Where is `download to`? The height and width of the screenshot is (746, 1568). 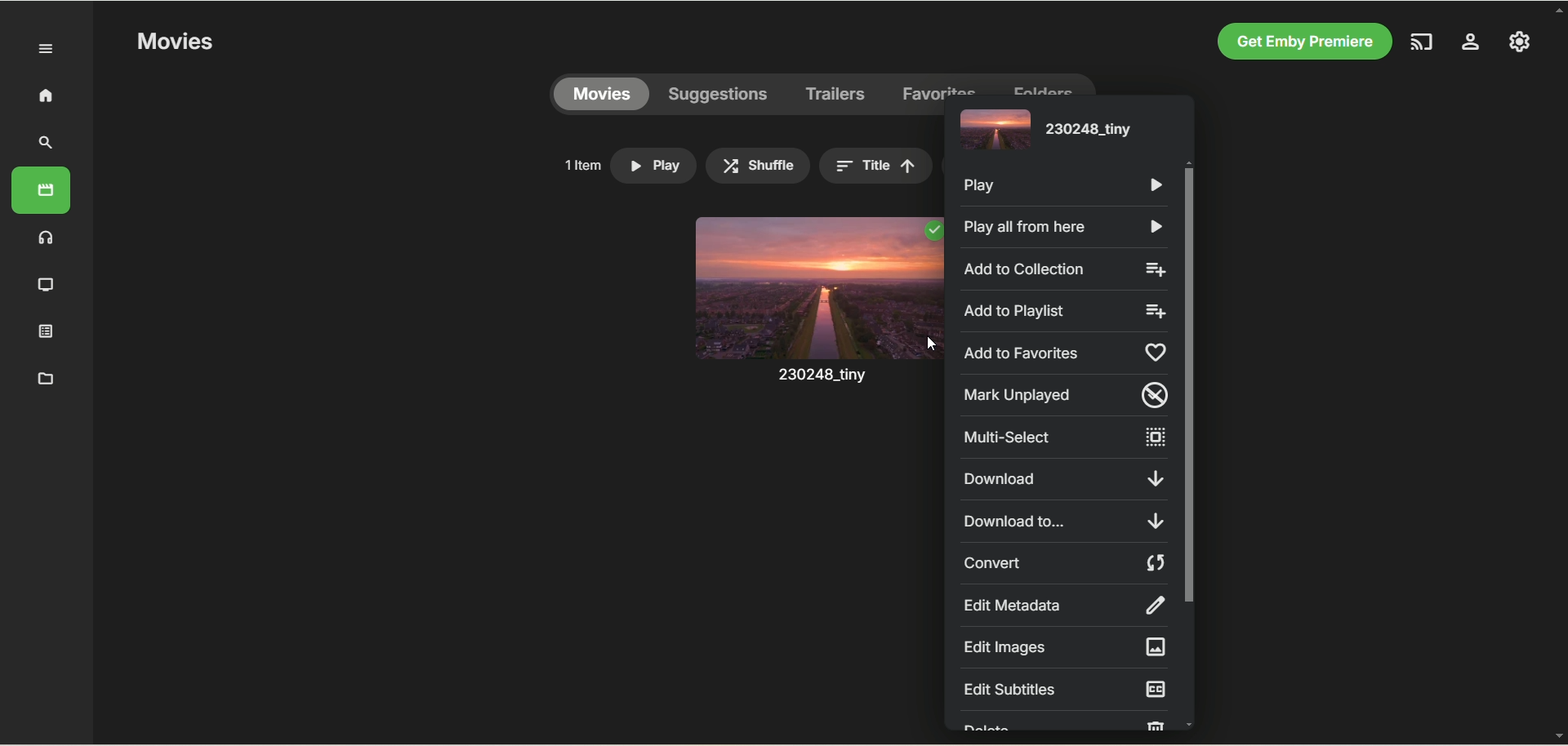
download to is located at coordinates (1062, 520).